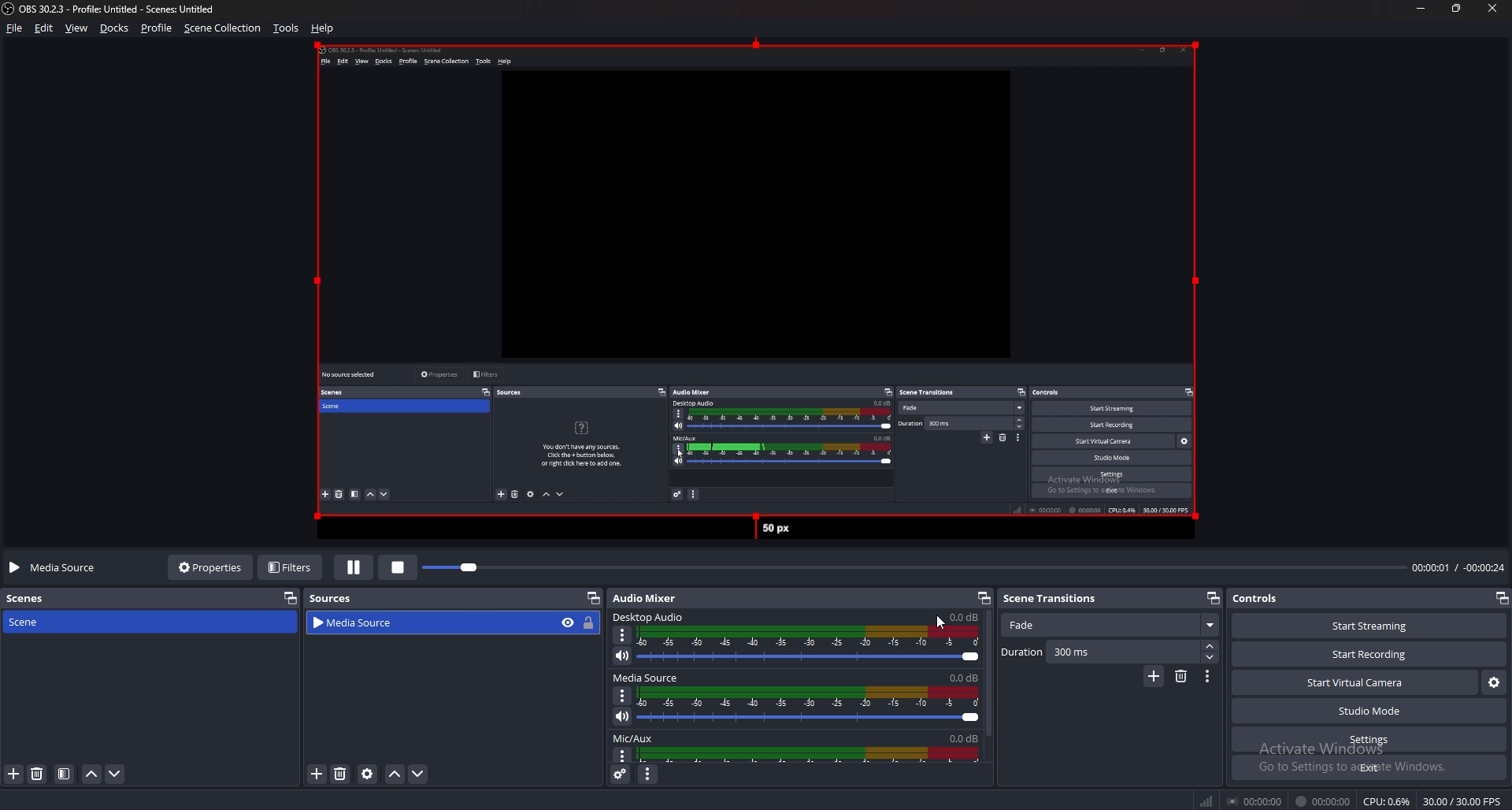 The image size is (1512, 810). Describe the element at coordinates (1207, 677) in the screenshot. I see `Transition properties` at that location.